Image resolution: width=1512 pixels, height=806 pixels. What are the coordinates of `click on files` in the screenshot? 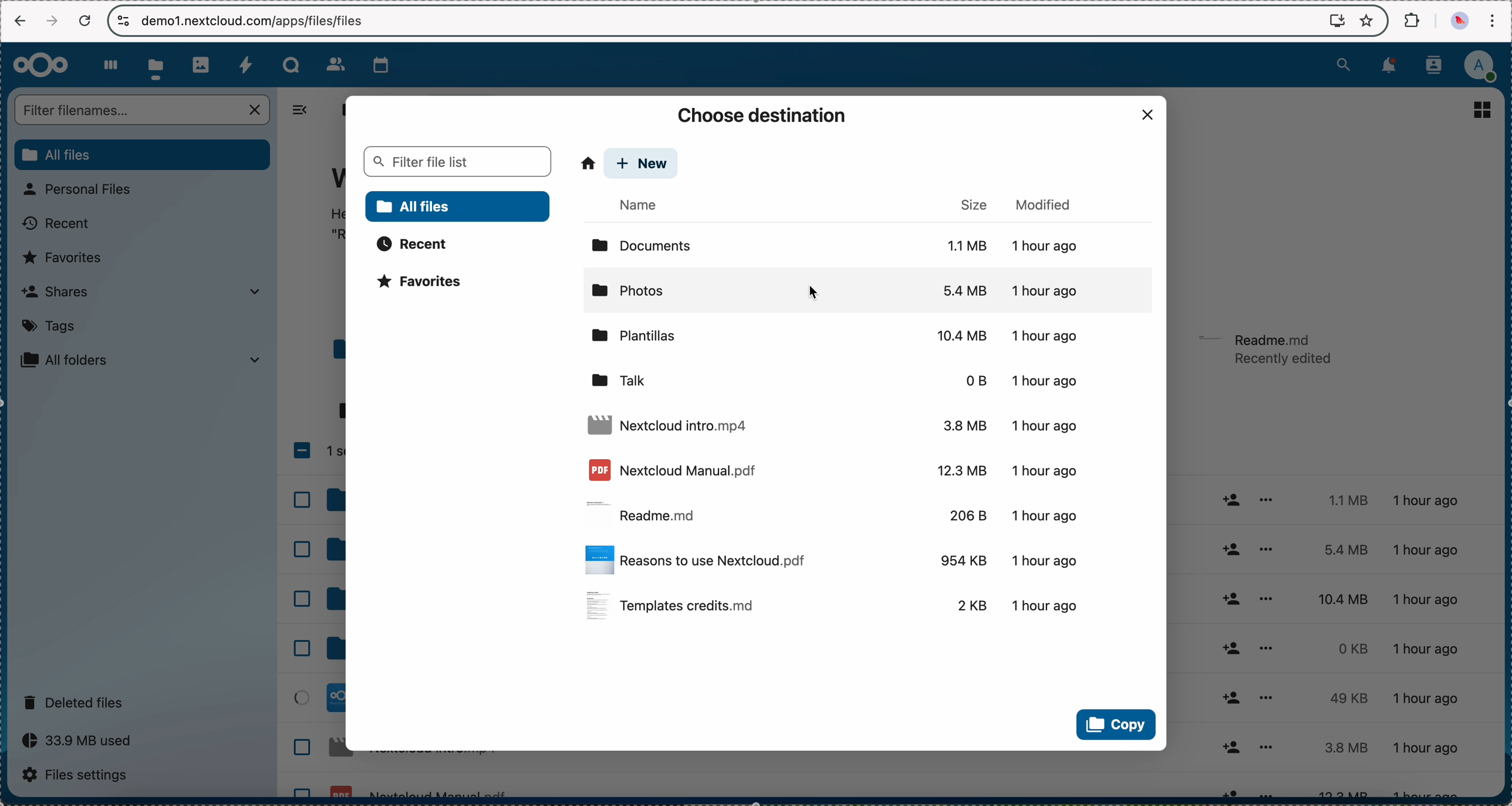 It's located at (158, 65).